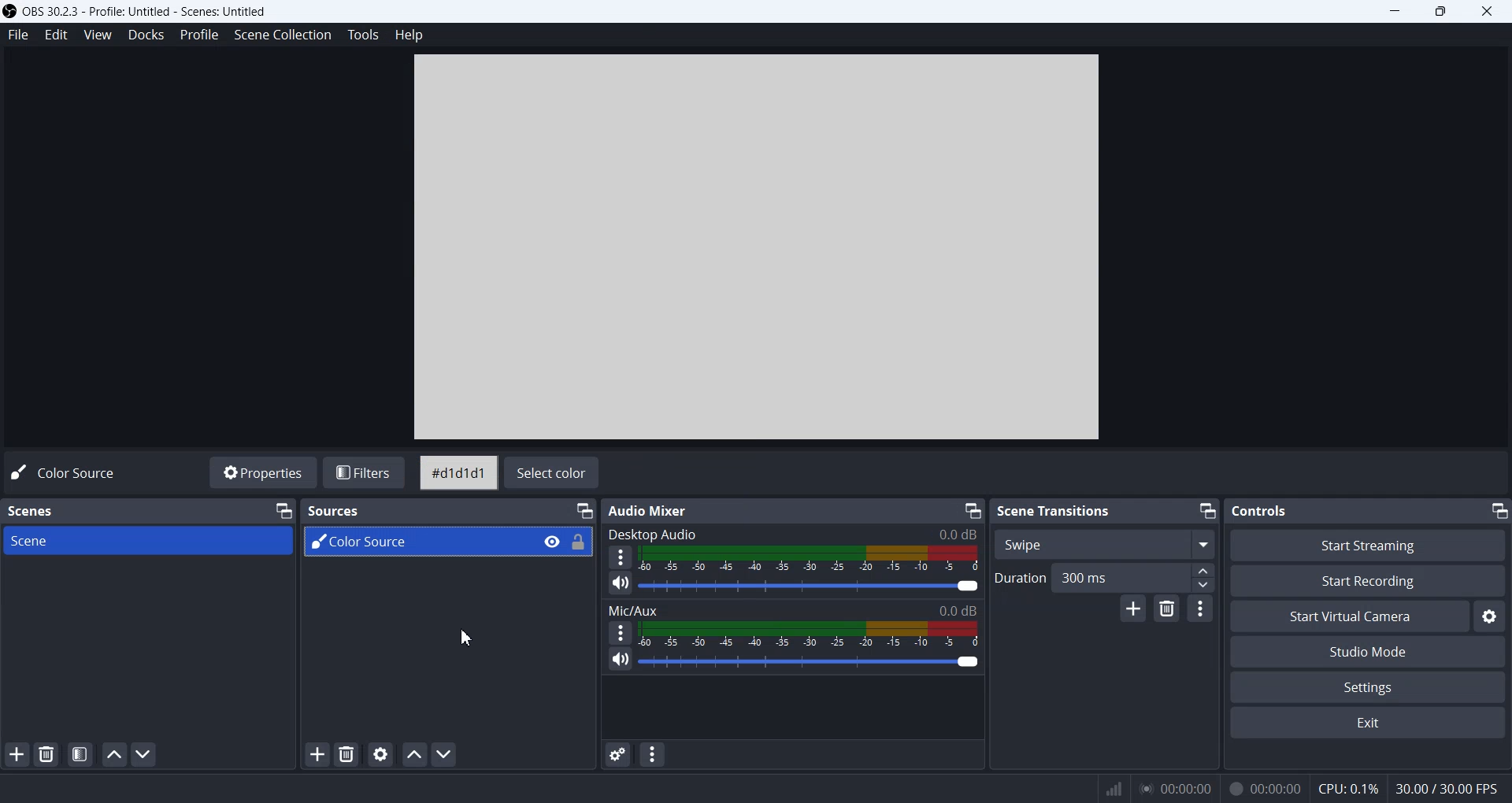 The width and height of the screenshot is (1512, 803). I want to click on Preview Window , so click(759, 248).